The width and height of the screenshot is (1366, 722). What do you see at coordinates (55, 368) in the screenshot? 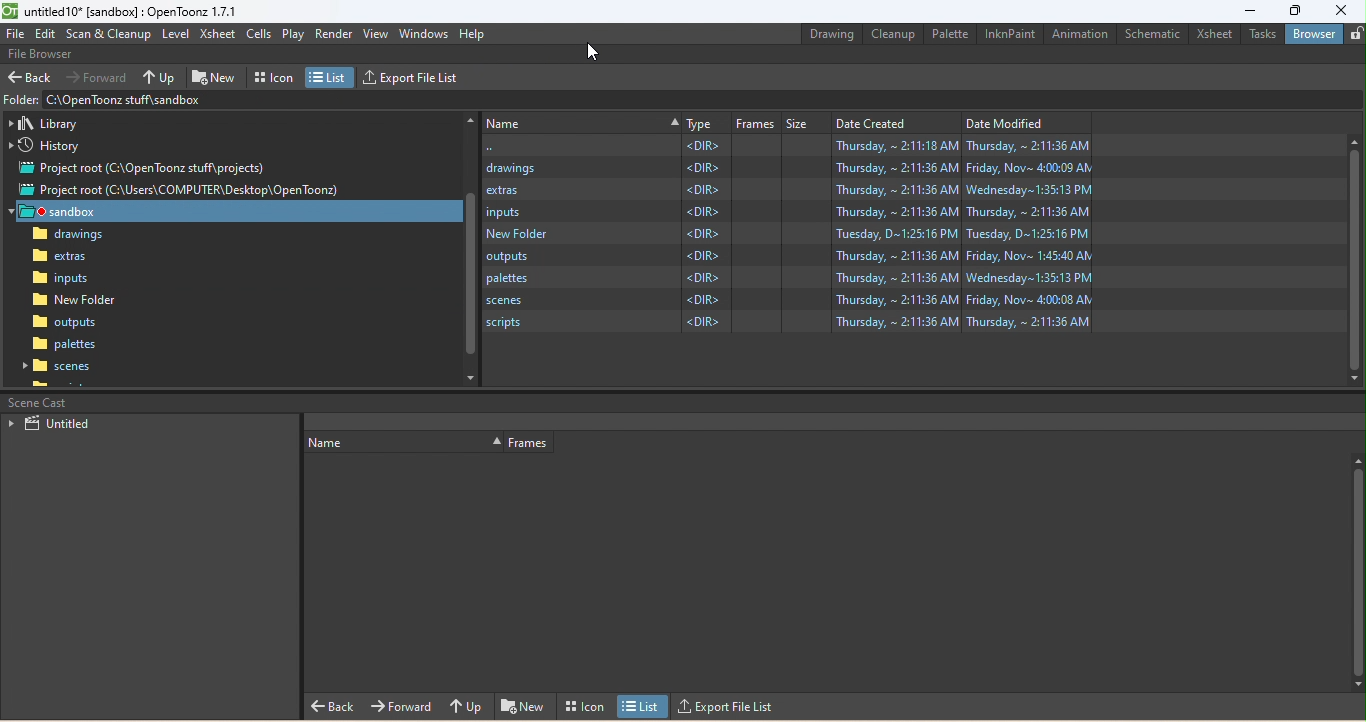
I see `scripts` at bounding box center [55, 368].